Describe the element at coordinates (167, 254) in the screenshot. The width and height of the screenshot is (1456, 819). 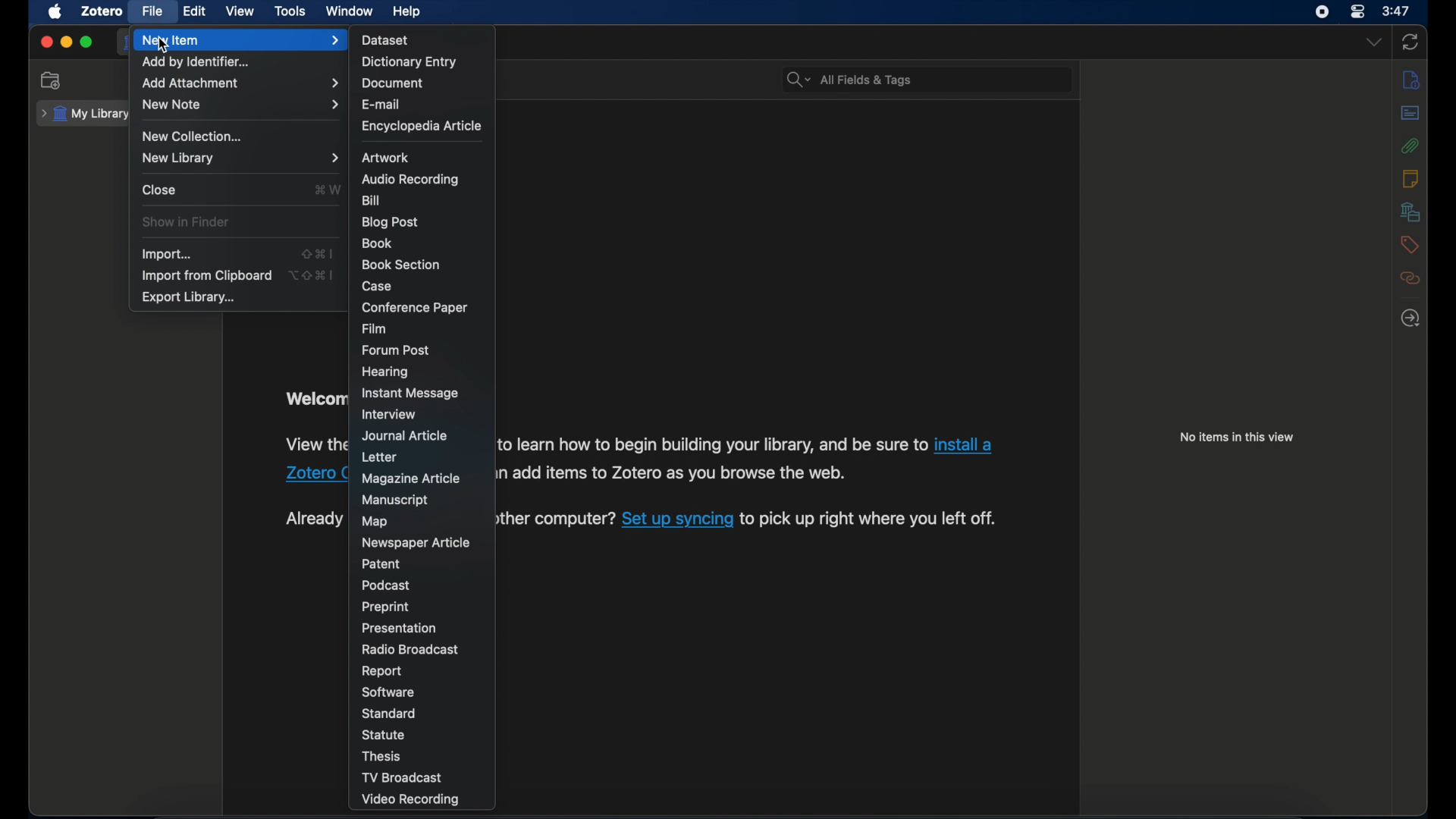
I see `import` at that location.